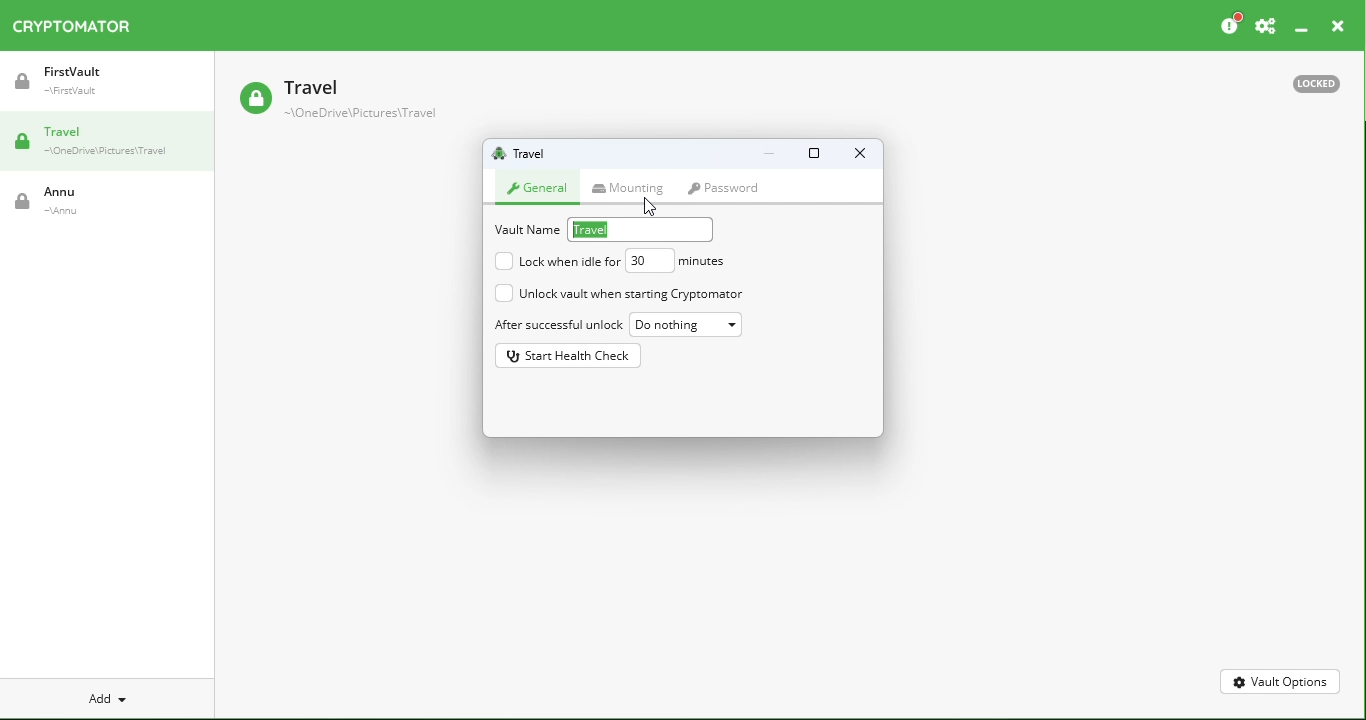 The height and width of the screenshot is (720, 1366). I want to click on Preferences, so click(1265, 23).